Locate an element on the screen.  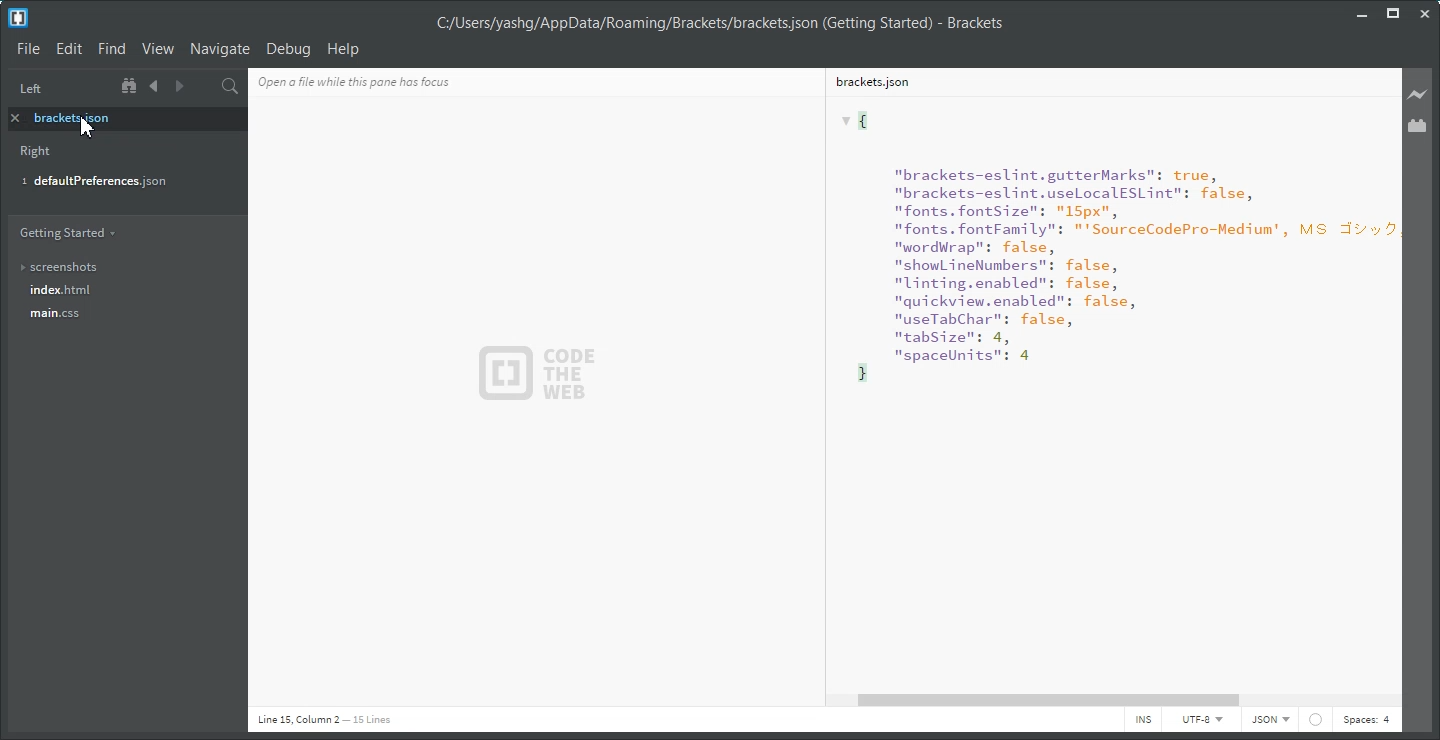
INS is located at coordinates (1143, 721).